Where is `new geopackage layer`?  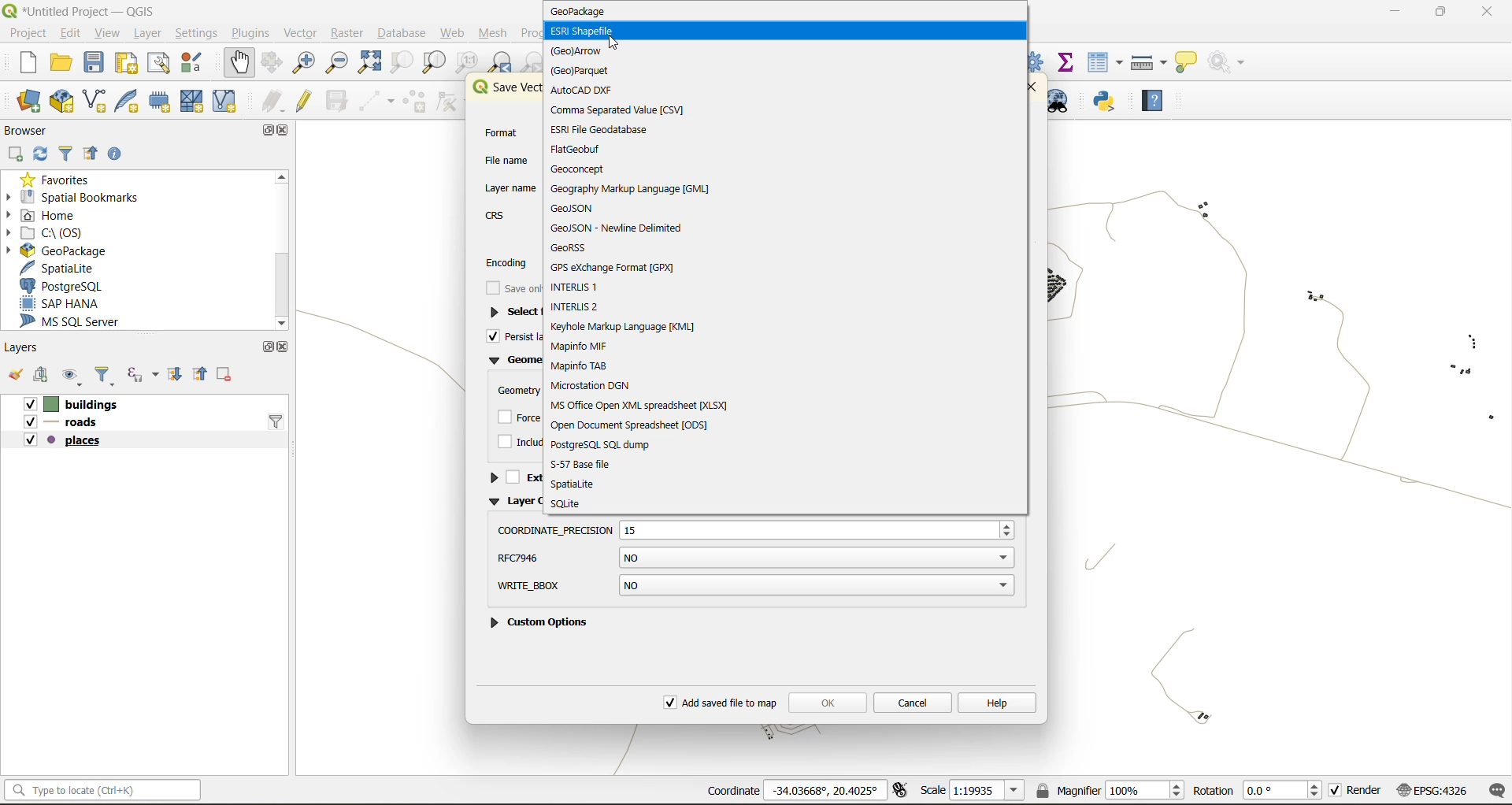
new geopackage layer is located at coordinates (61, 102).